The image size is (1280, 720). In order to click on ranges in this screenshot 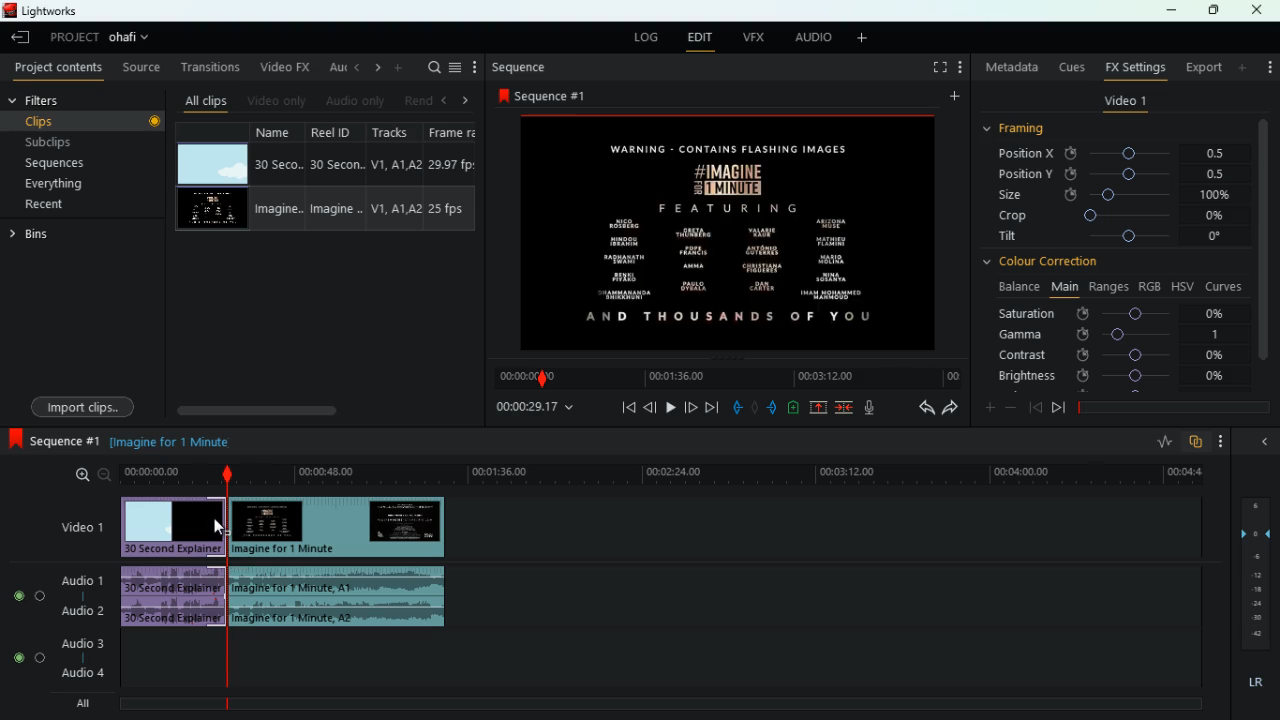, I will do `click(1108, 286)`.